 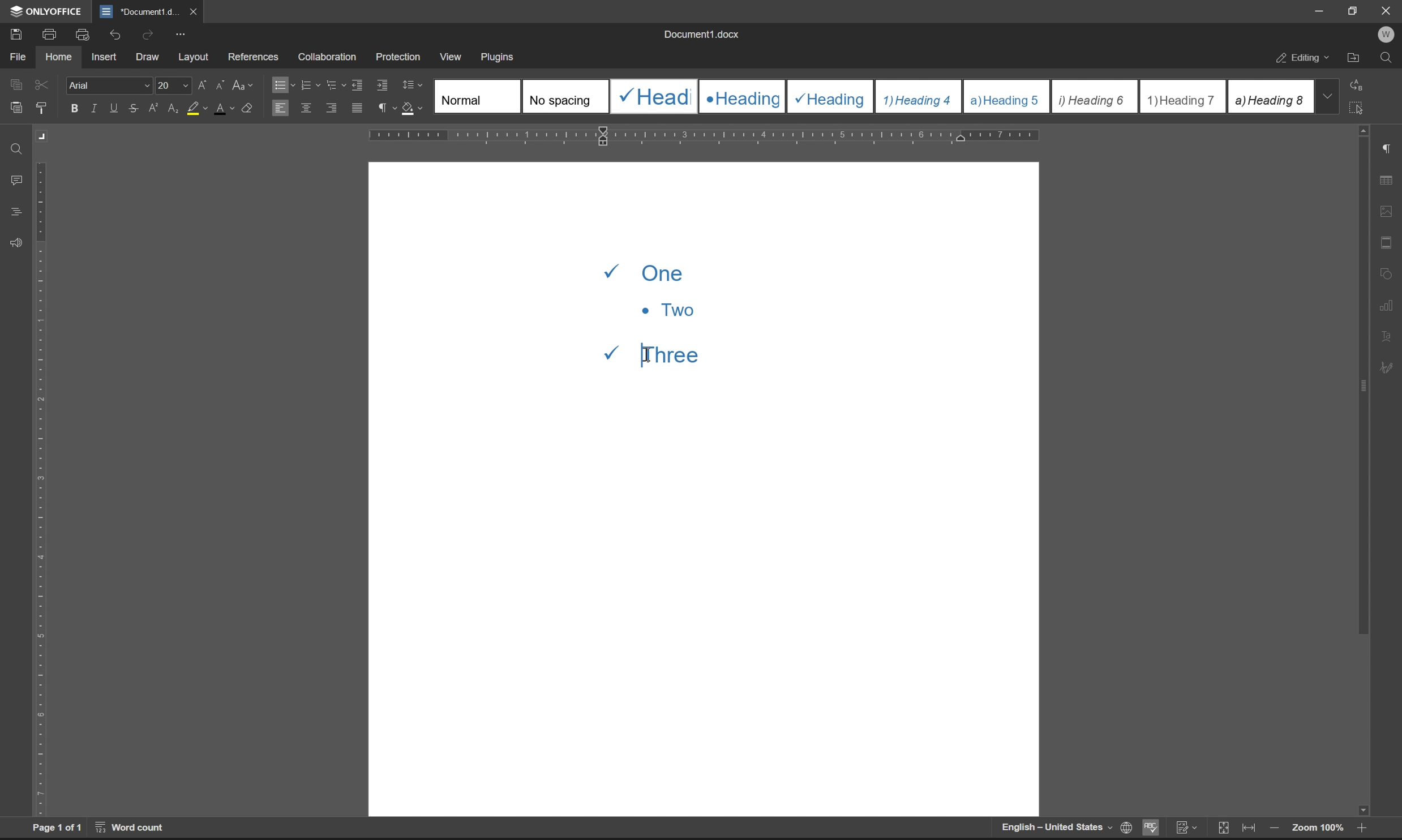 I want to click on italic, so click(x=96, y=108).